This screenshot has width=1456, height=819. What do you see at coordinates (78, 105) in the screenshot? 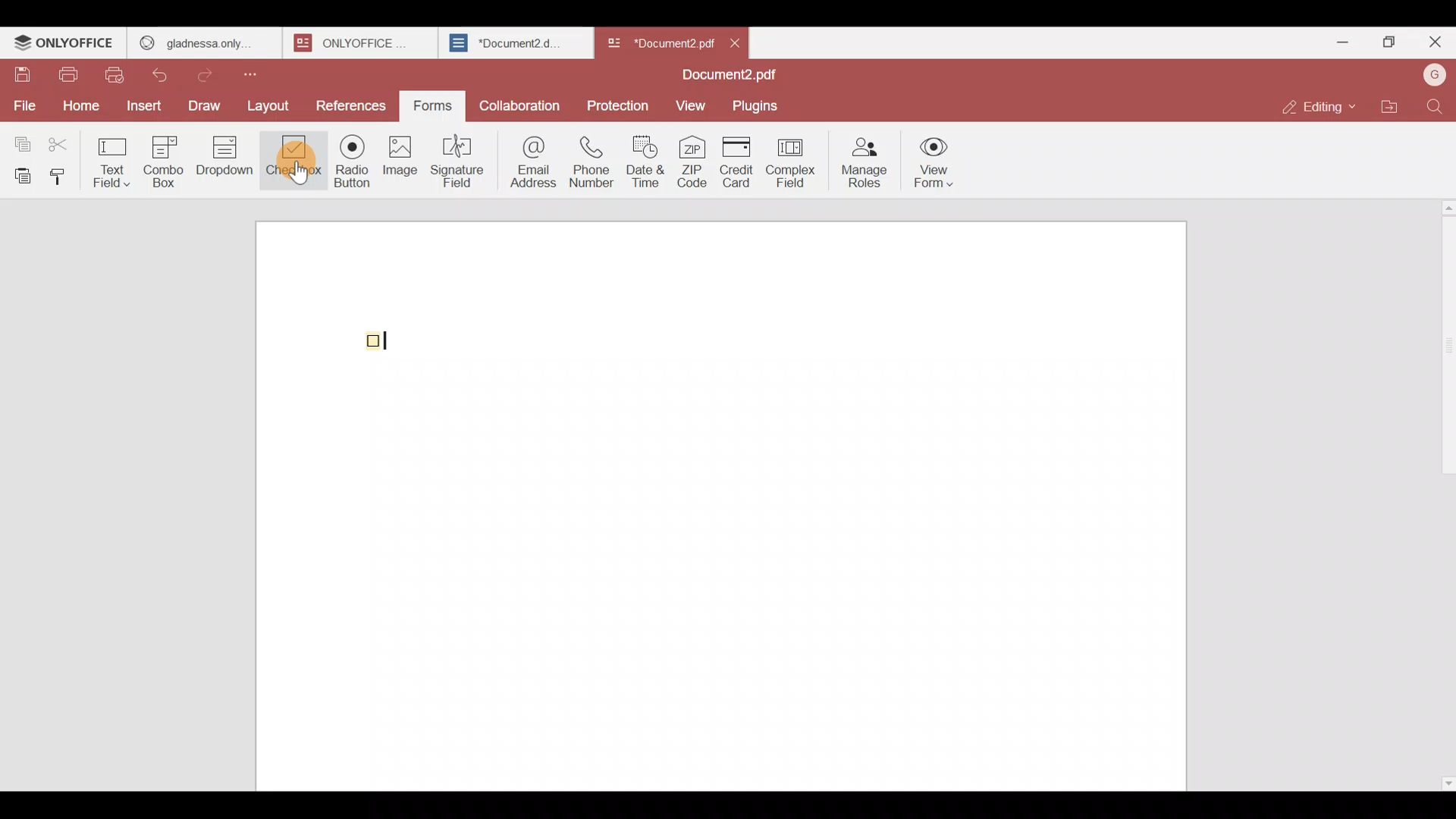
I see `Home` at bounding box center [78, 105].